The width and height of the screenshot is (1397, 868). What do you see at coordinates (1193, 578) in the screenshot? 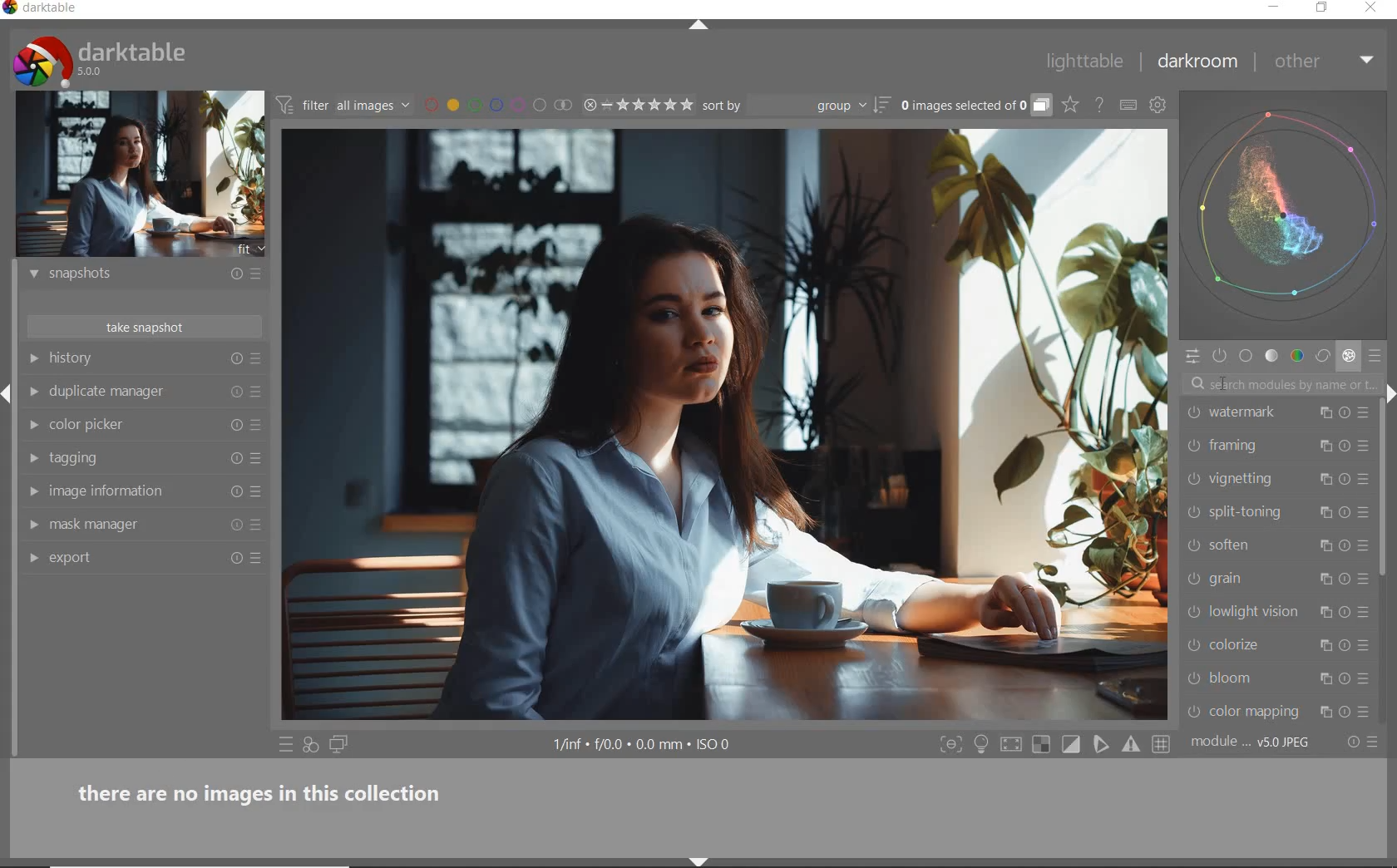
I see `'grain' is switched off` at bounding box center [1193, 578].